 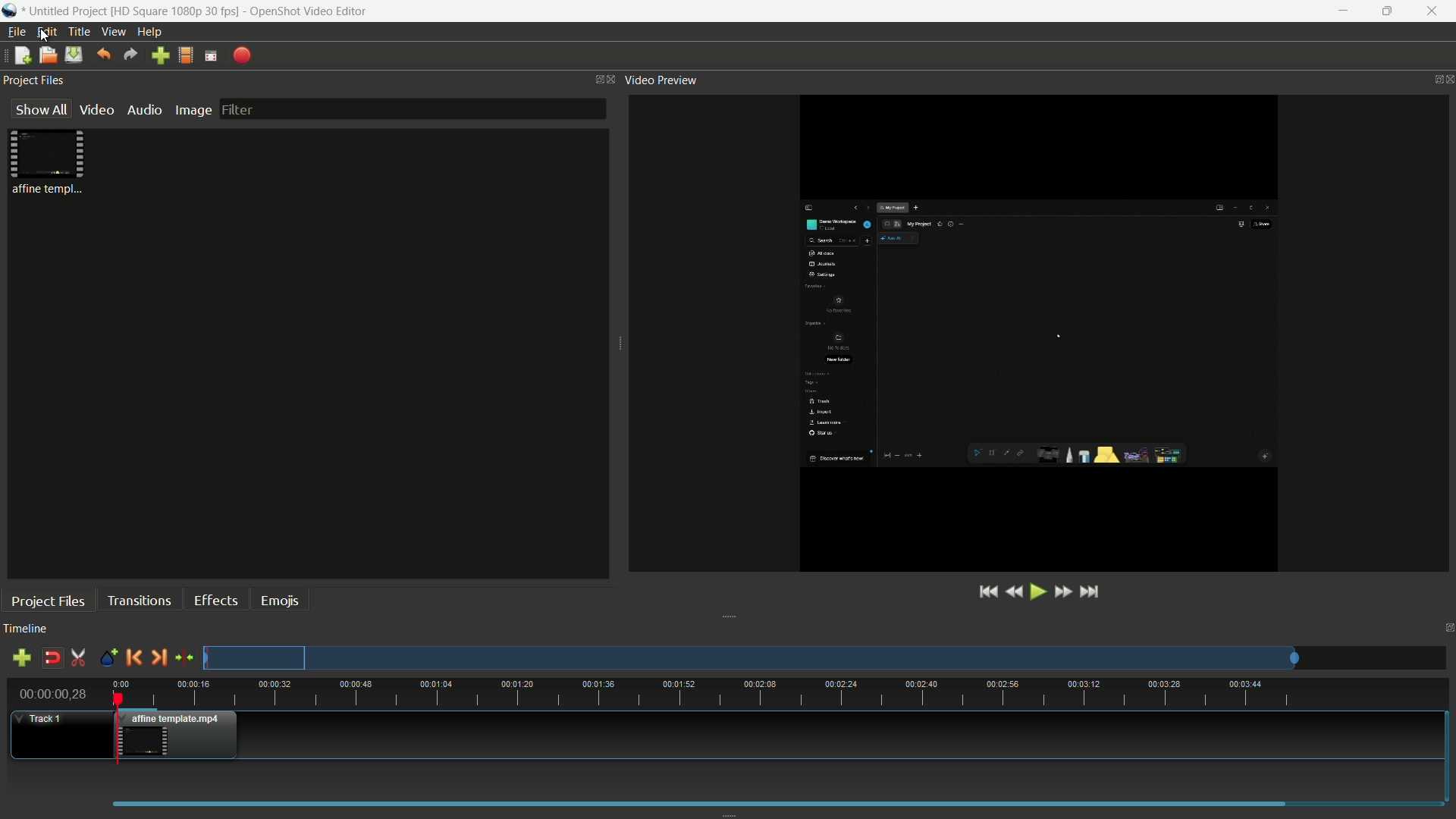 I want to click on video preview, so click(x=1034, y=331).